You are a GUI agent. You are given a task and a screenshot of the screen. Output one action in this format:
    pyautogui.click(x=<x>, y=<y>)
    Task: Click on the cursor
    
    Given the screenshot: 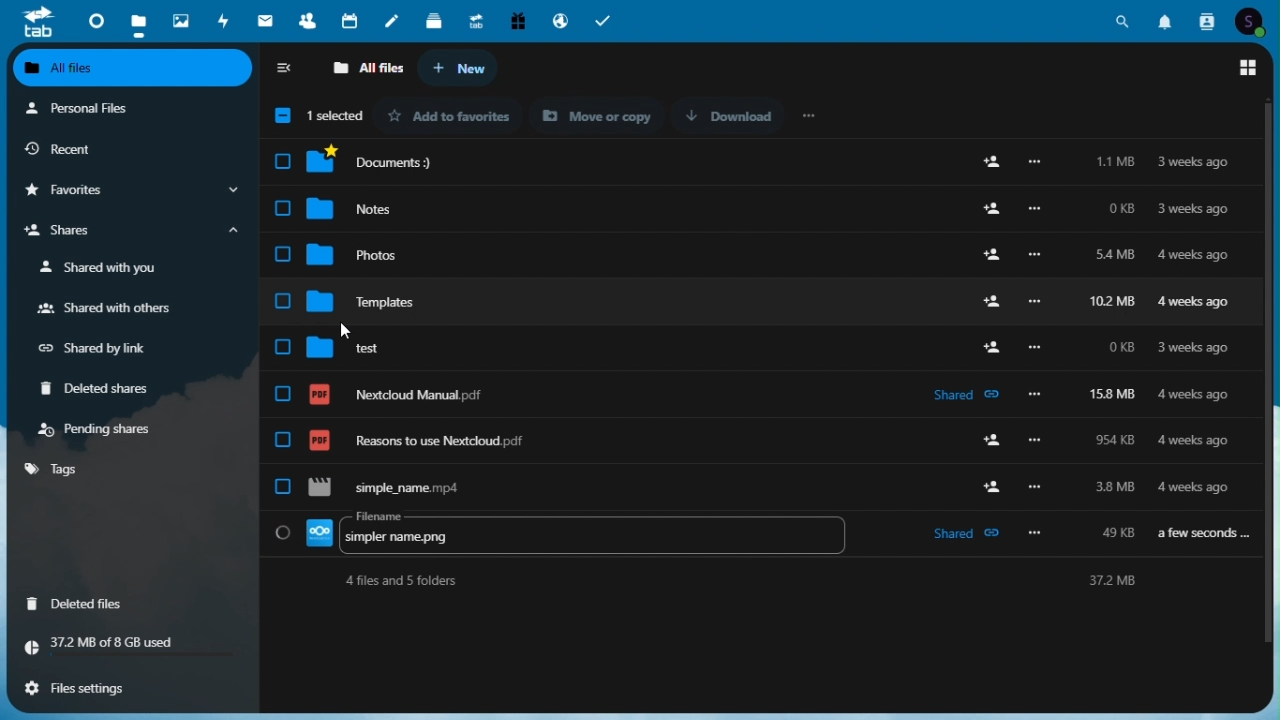 What is the action you would take?
    pyautogui.click(x=354, y=334)
    